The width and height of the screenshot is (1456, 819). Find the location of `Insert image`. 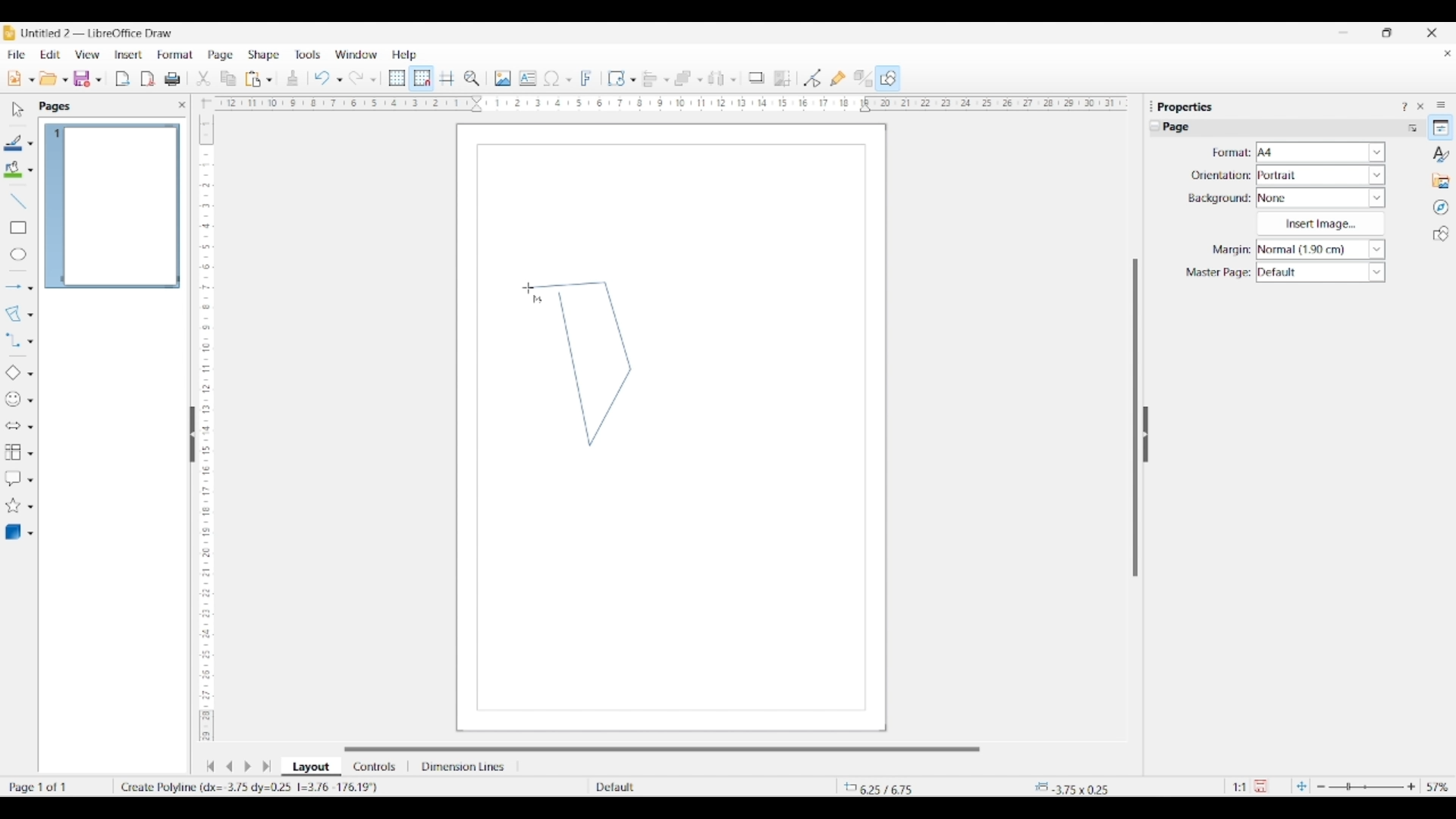

Insert image is located at coordinates (1320, 224).